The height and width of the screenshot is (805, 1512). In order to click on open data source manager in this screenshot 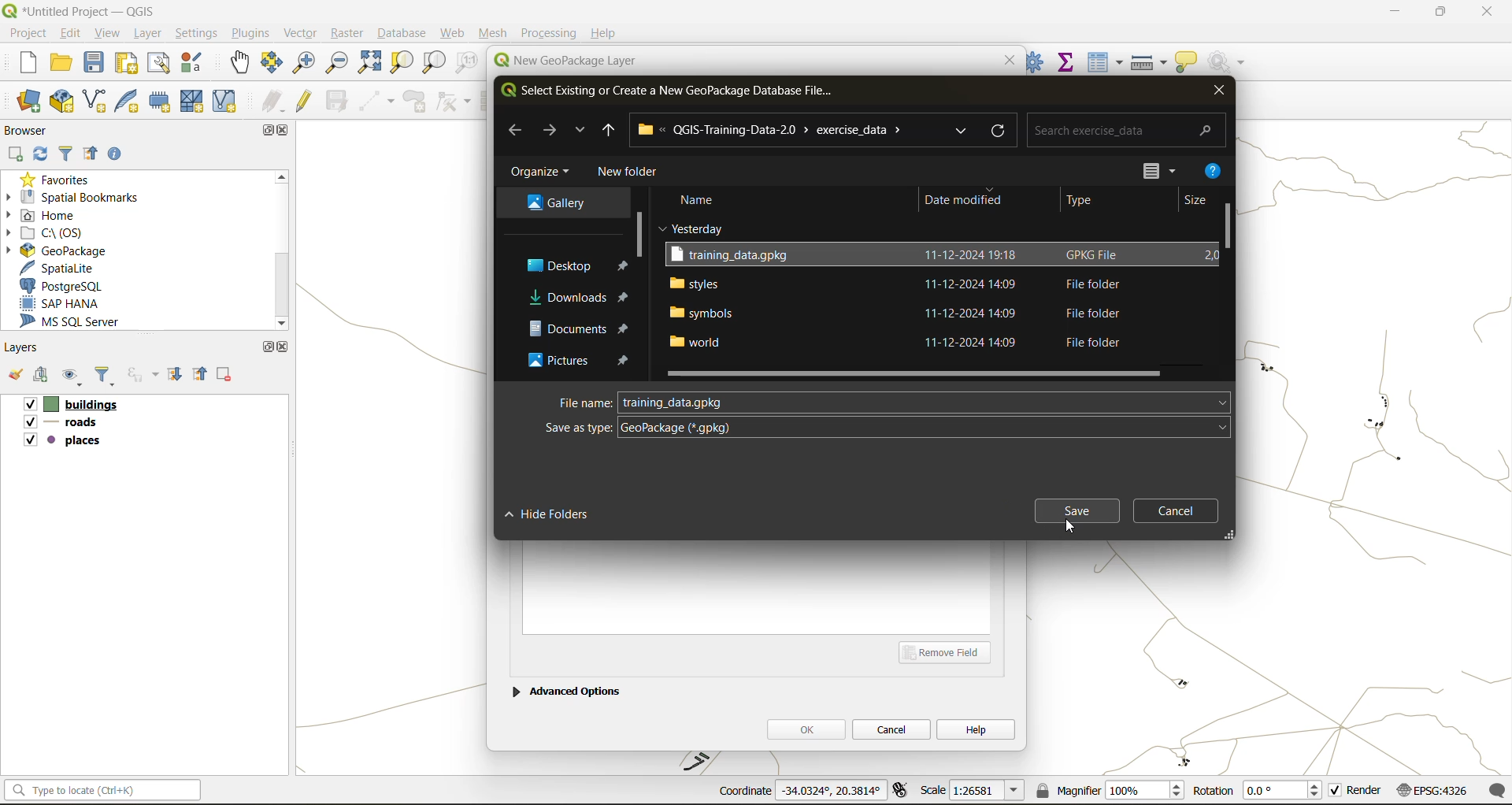, I will do `click(29, 102)`.